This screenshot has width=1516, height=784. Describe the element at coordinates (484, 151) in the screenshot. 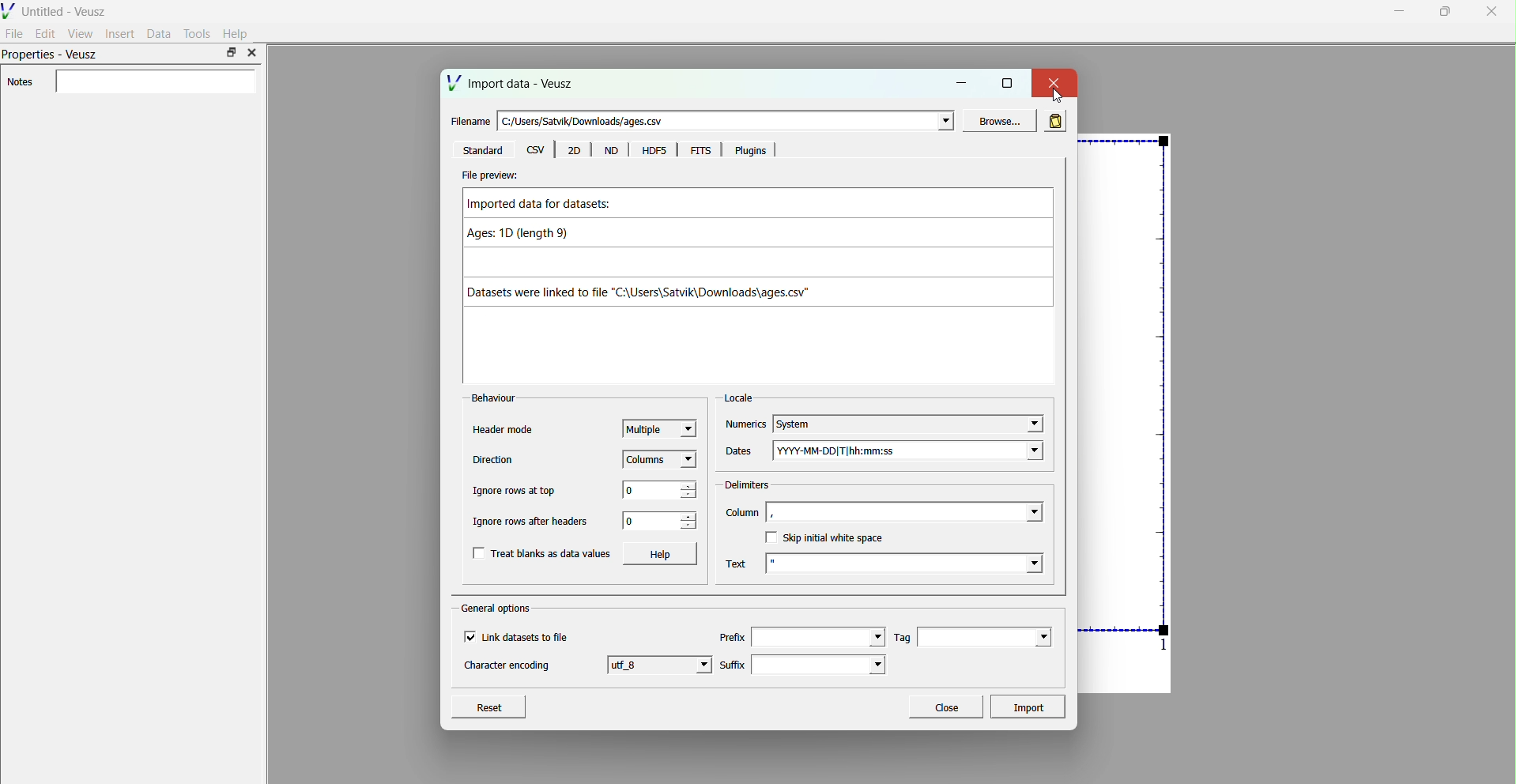

I see `‘Standard` at that location.